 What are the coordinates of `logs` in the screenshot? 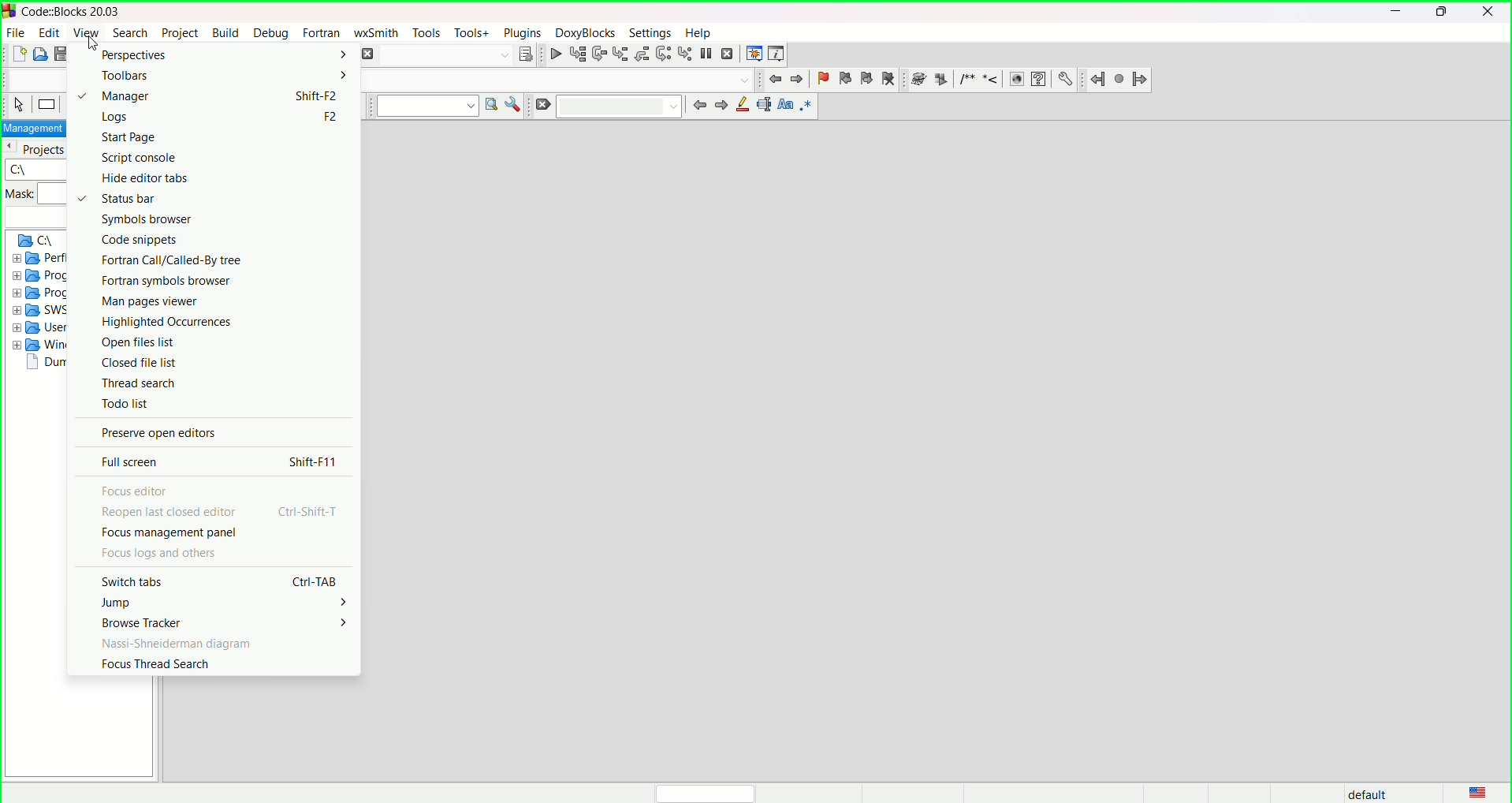 It's located at (111, 117).